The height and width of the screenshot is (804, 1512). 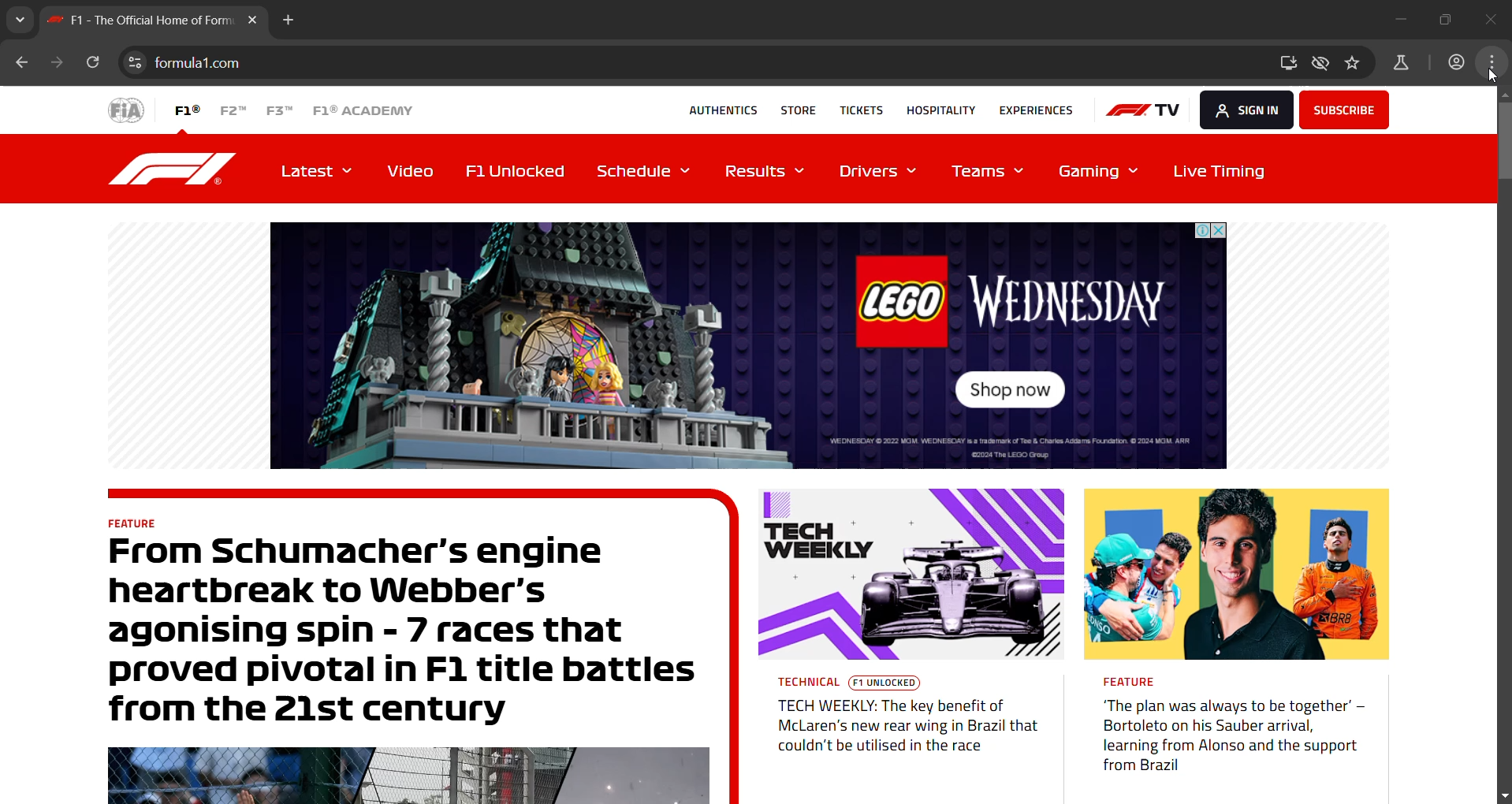 What do you see at coordinates (186, 111) in the screenshot?
I see `F1®` at bounding box center [186, 111].